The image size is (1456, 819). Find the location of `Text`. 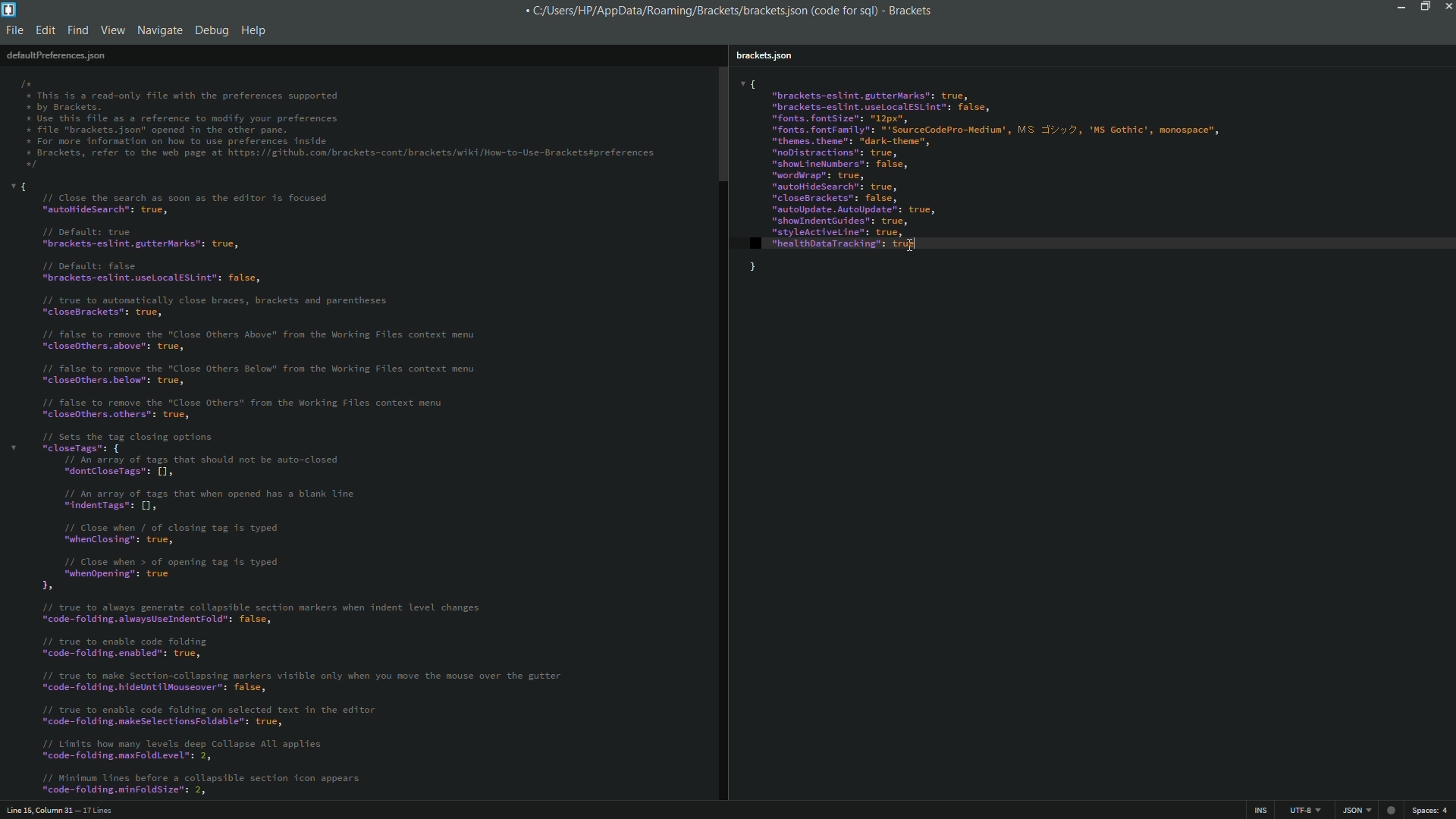

Text is located at coordinates (340, 126).